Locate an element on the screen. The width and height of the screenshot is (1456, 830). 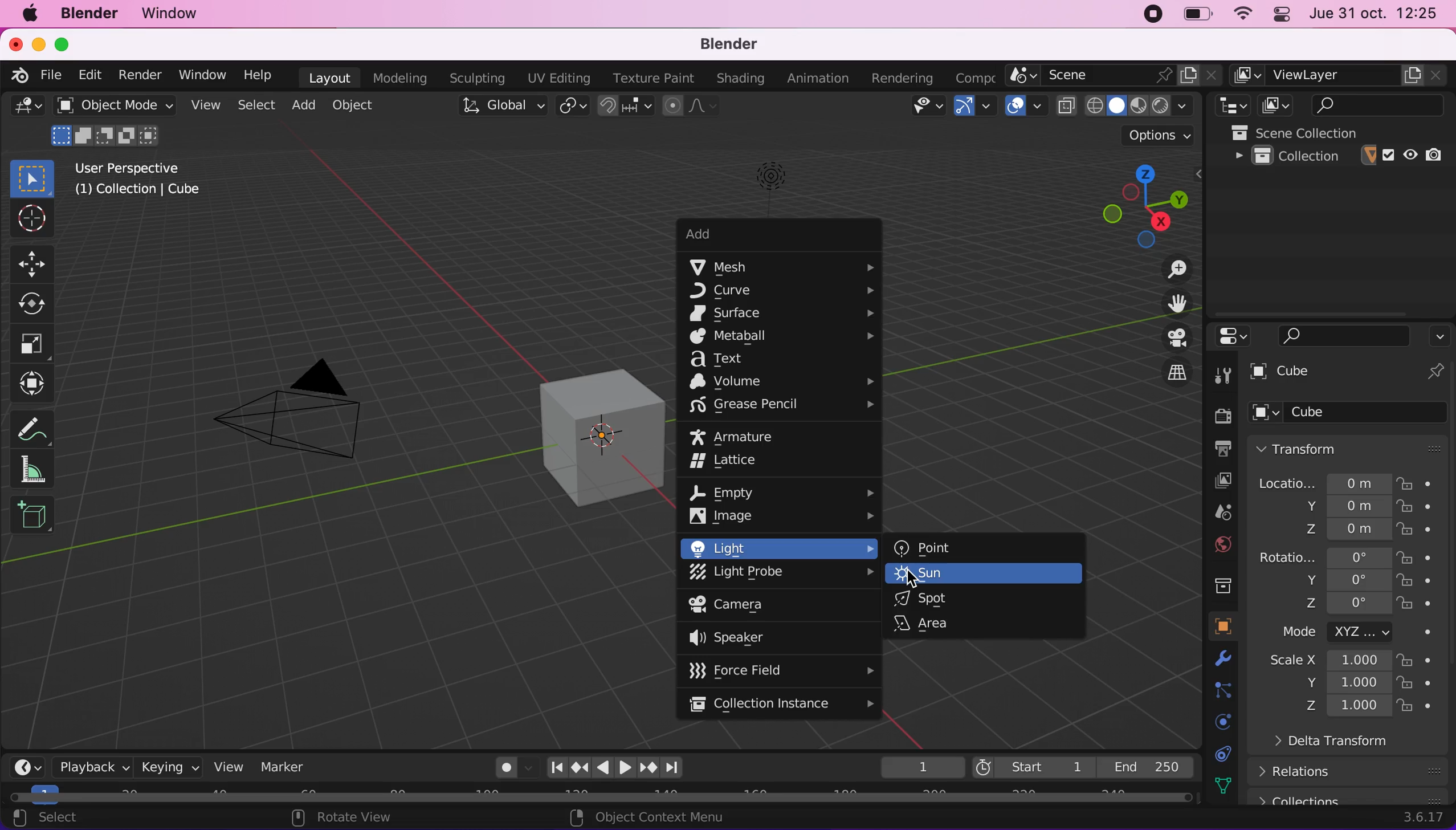
view layer is located at coordinates (1340, 76).